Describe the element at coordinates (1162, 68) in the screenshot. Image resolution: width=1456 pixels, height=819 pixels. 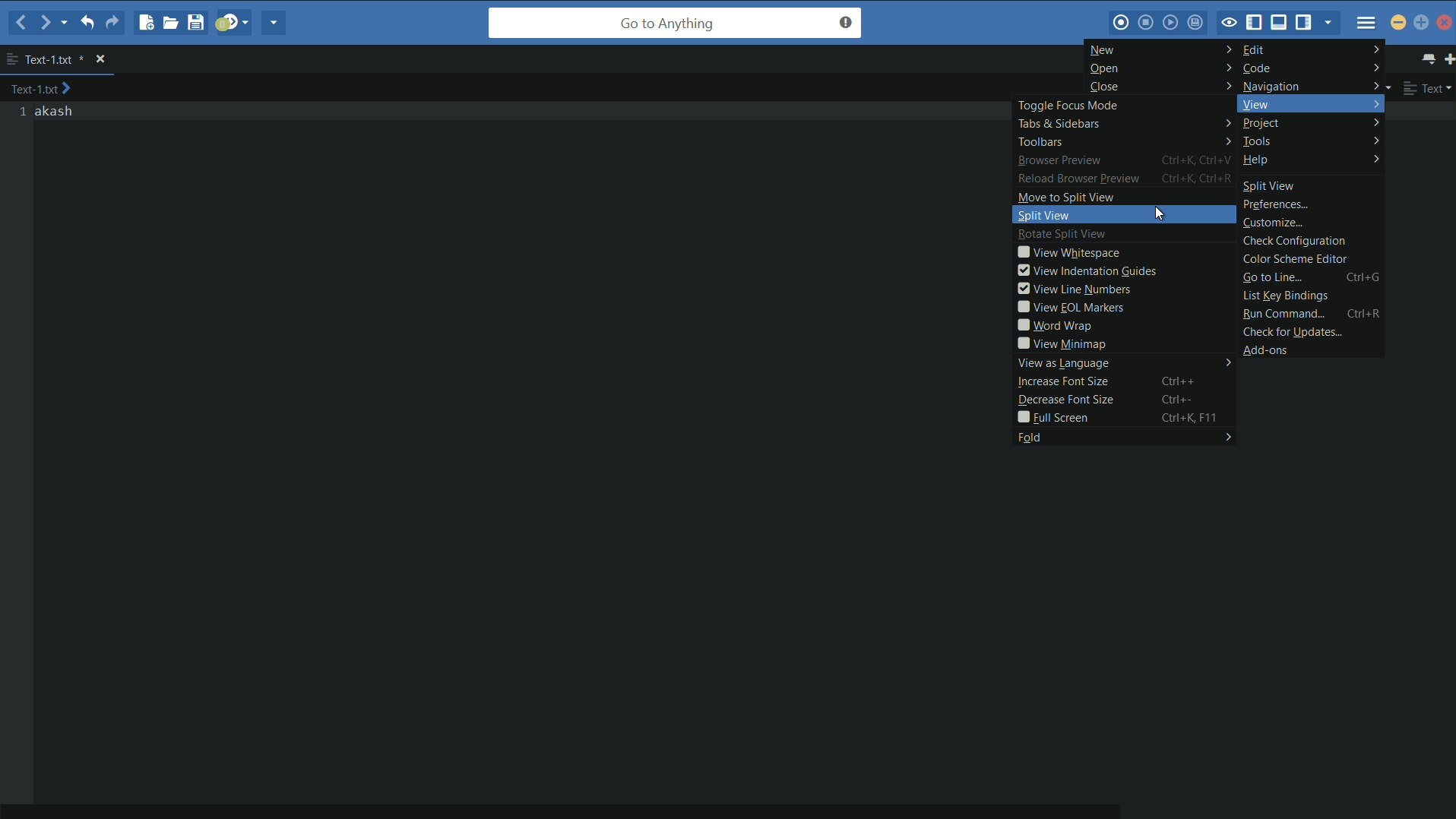
I see `open` at that location.